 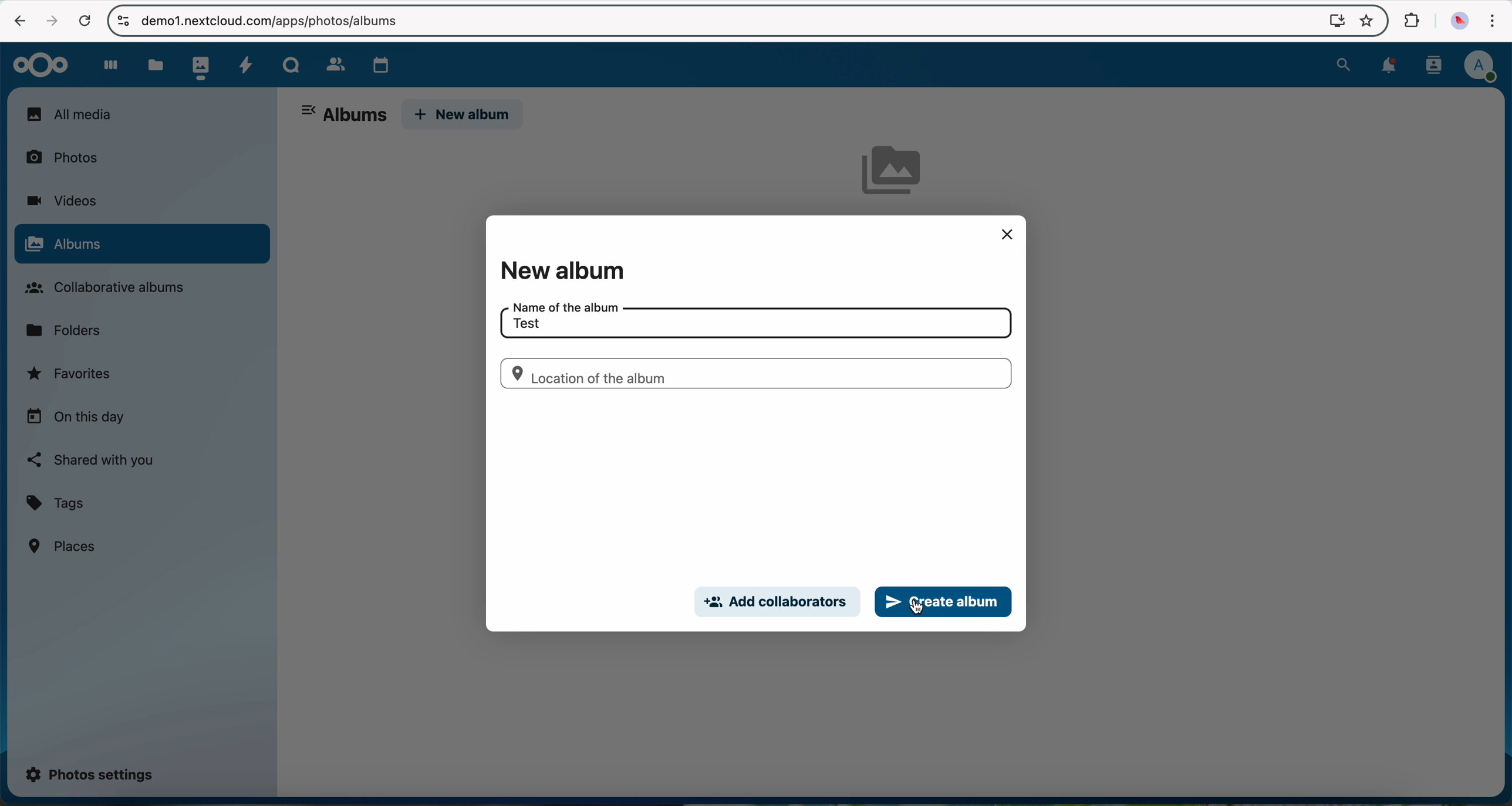 What do you see at coordinates (1430, 65) in the screenshot?
I see `contacts` at bounding box center [1430, 65].